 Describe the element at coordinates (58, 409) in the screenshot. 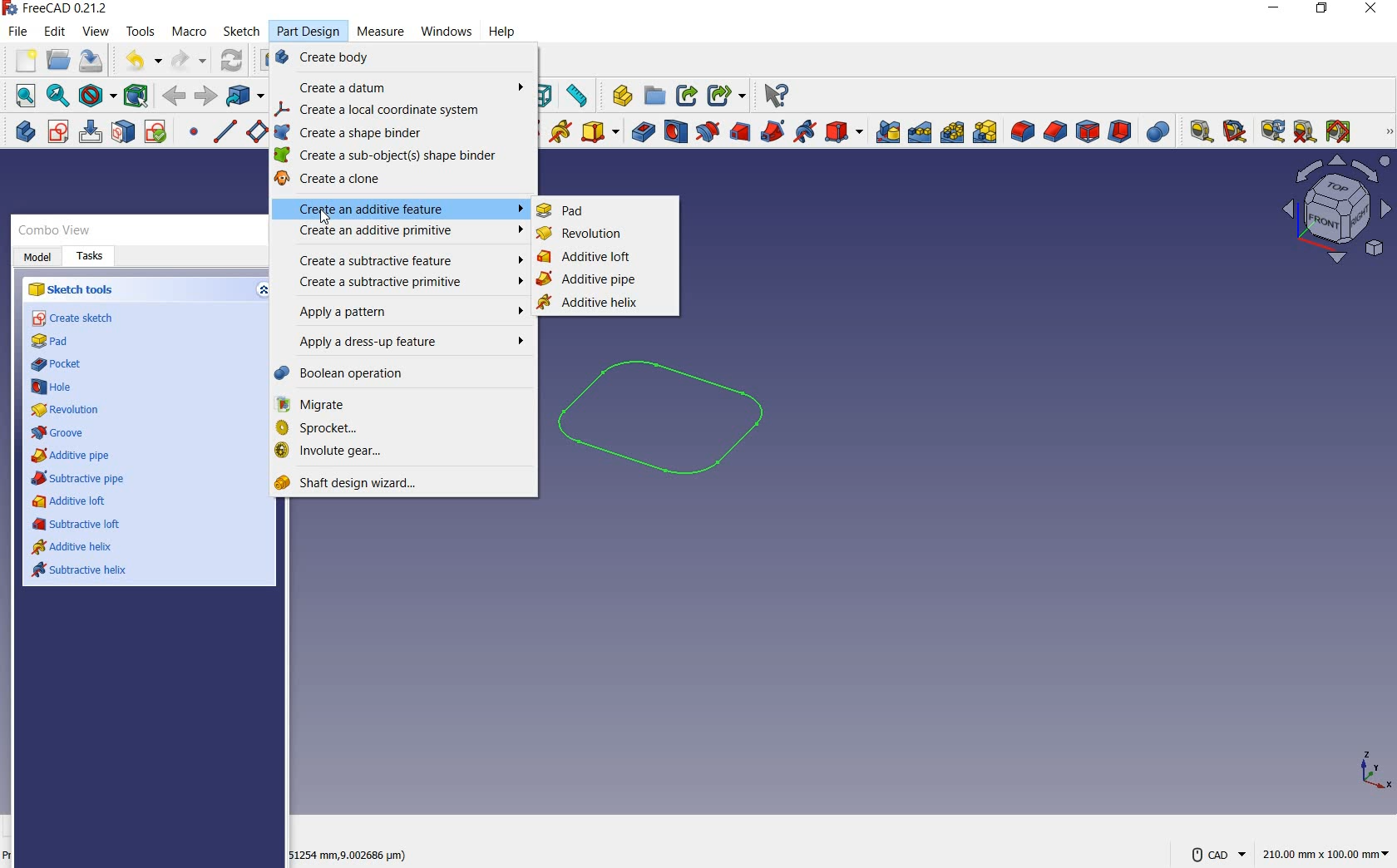

I see `revolution` at that location.